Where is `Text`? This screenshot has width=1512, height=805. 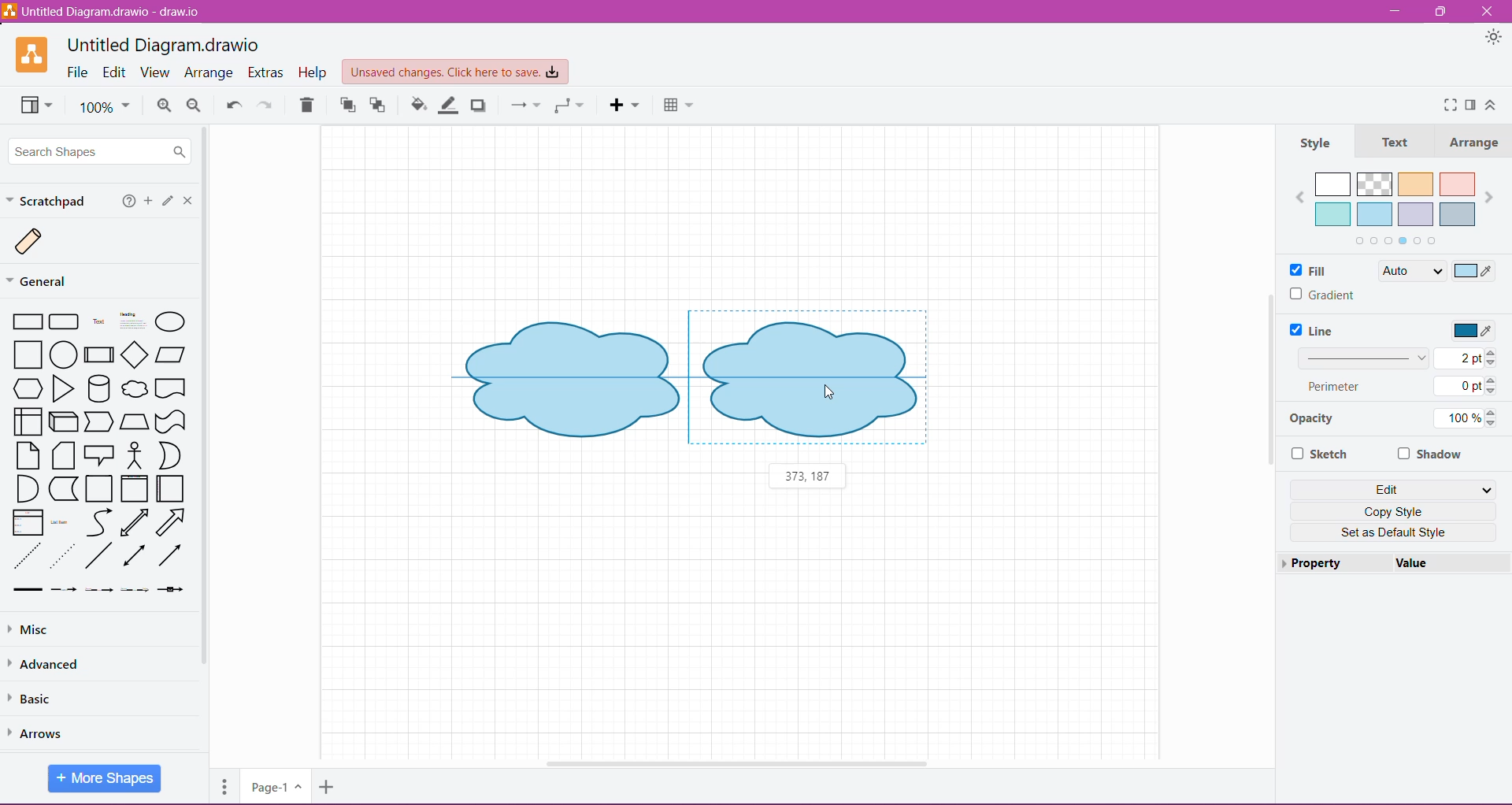
Text is located at coordinates (1399, 143).